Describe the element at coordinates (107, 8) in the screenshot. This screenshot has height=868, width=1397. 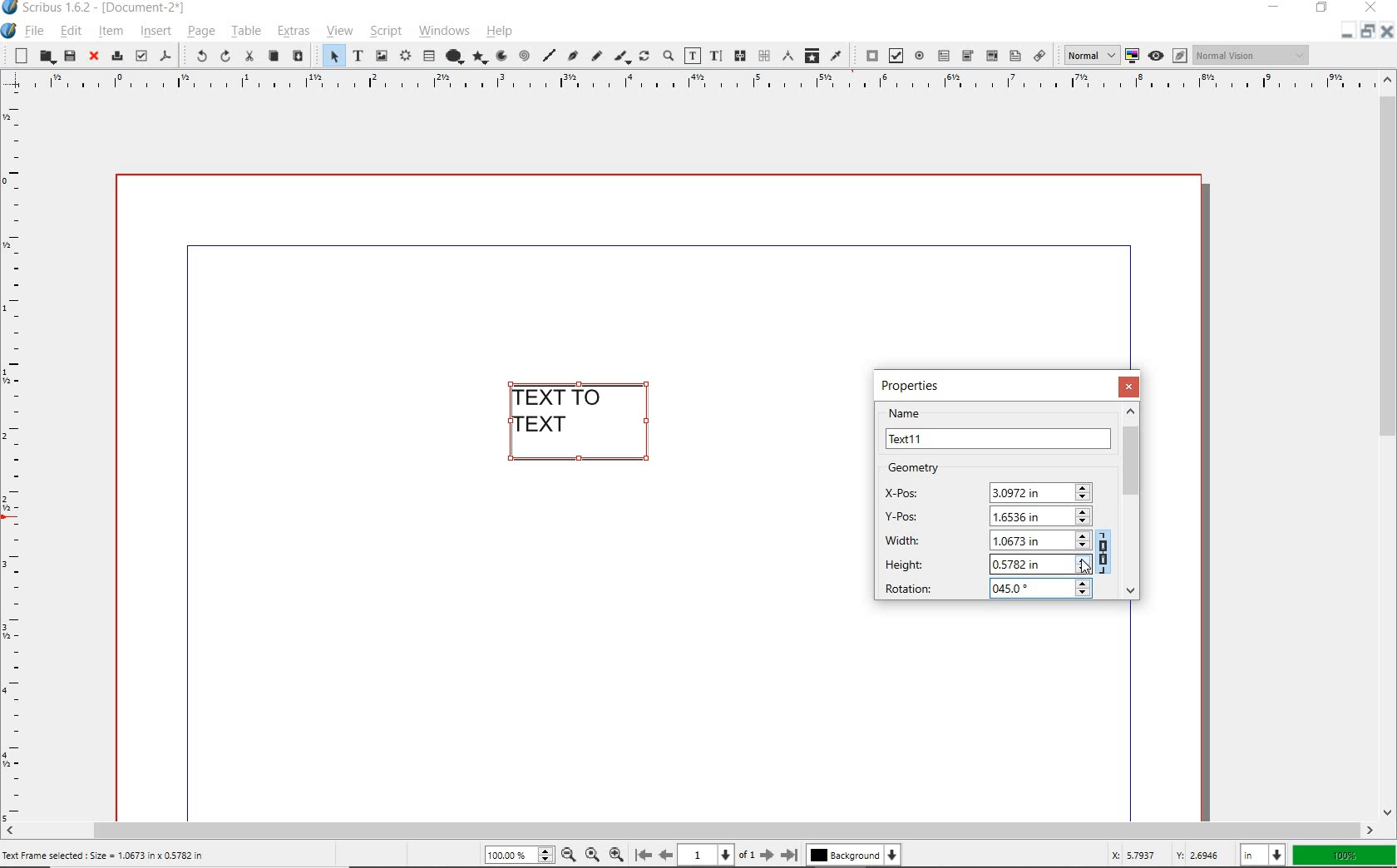
I see `system name` at that location.